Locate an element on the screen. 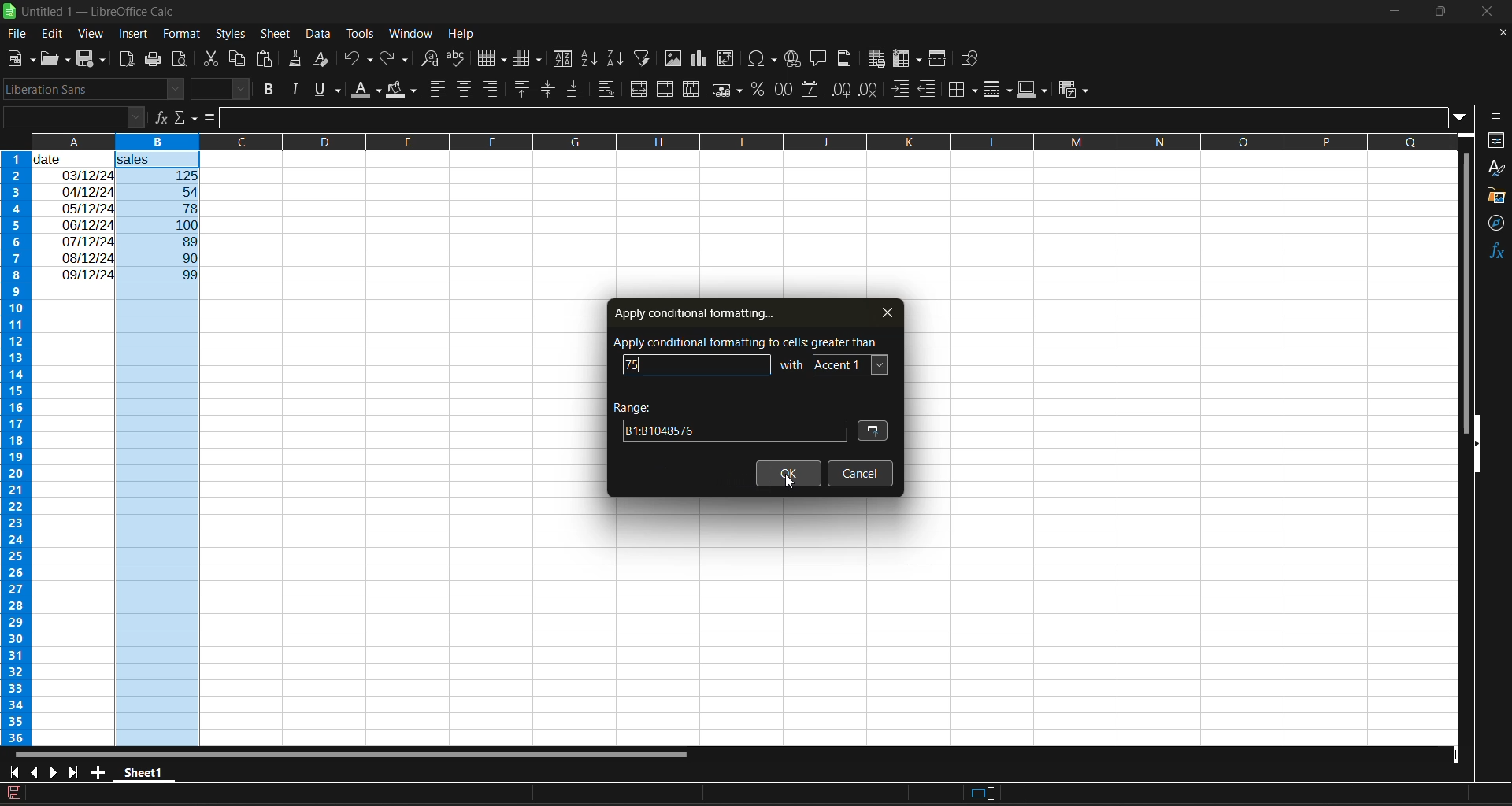 The height and width of the screenshot is (806, 1512). formula is located at coordinates (1193, 793).